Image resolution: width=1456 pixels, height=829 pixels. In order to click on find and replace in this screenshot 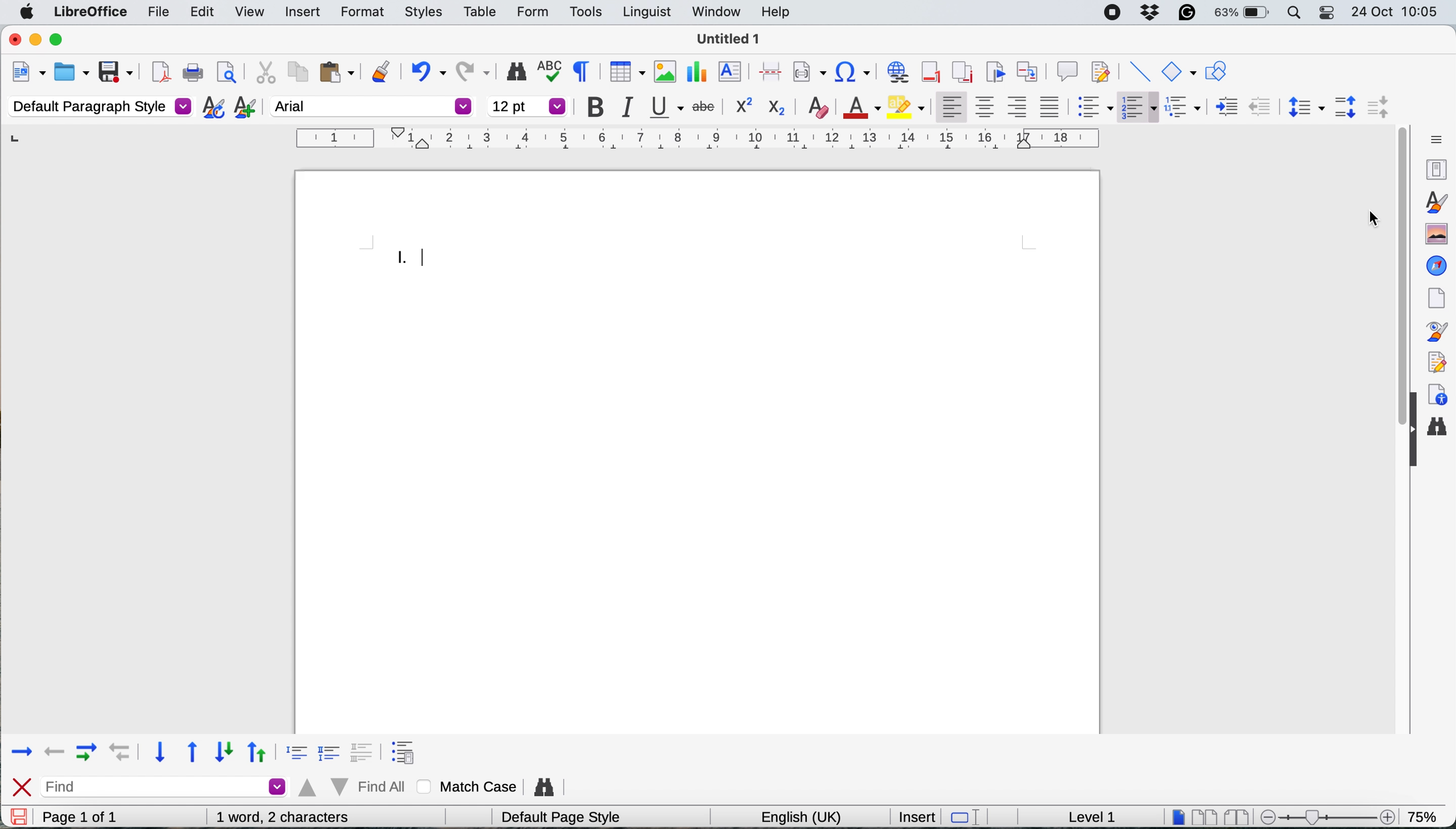, I will do `click(548, 784)`.